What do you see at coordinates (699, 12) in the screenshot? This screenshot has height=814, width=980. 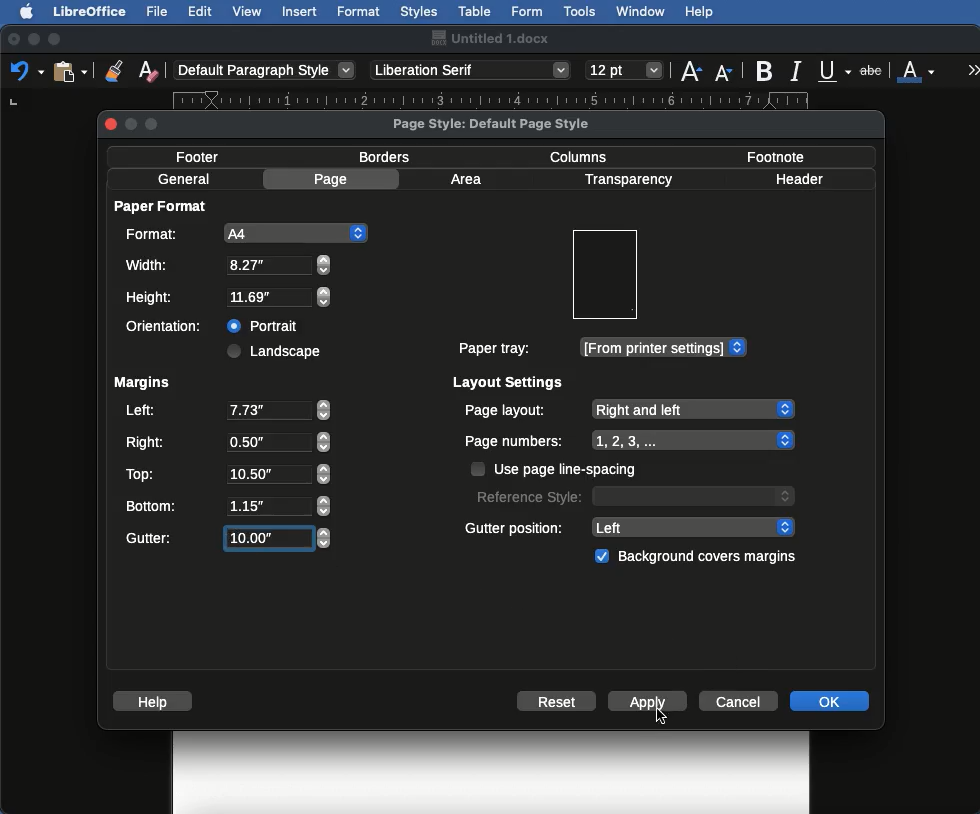 I see `Help` at bounding box center [699, 12].